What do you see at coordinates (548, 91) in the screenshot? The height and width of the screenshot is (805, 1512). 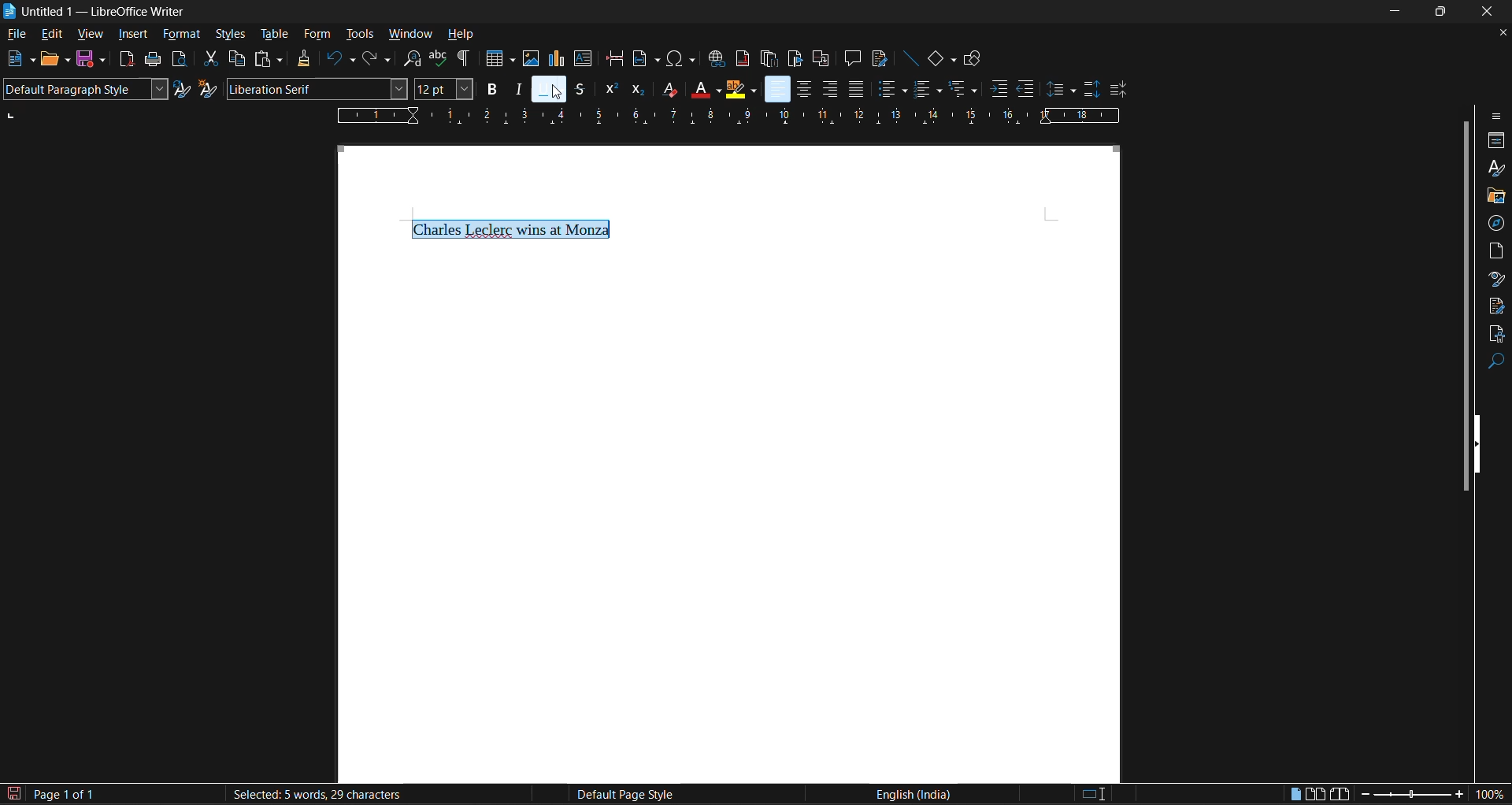 I see `underline` at bounding box center [548, 91].